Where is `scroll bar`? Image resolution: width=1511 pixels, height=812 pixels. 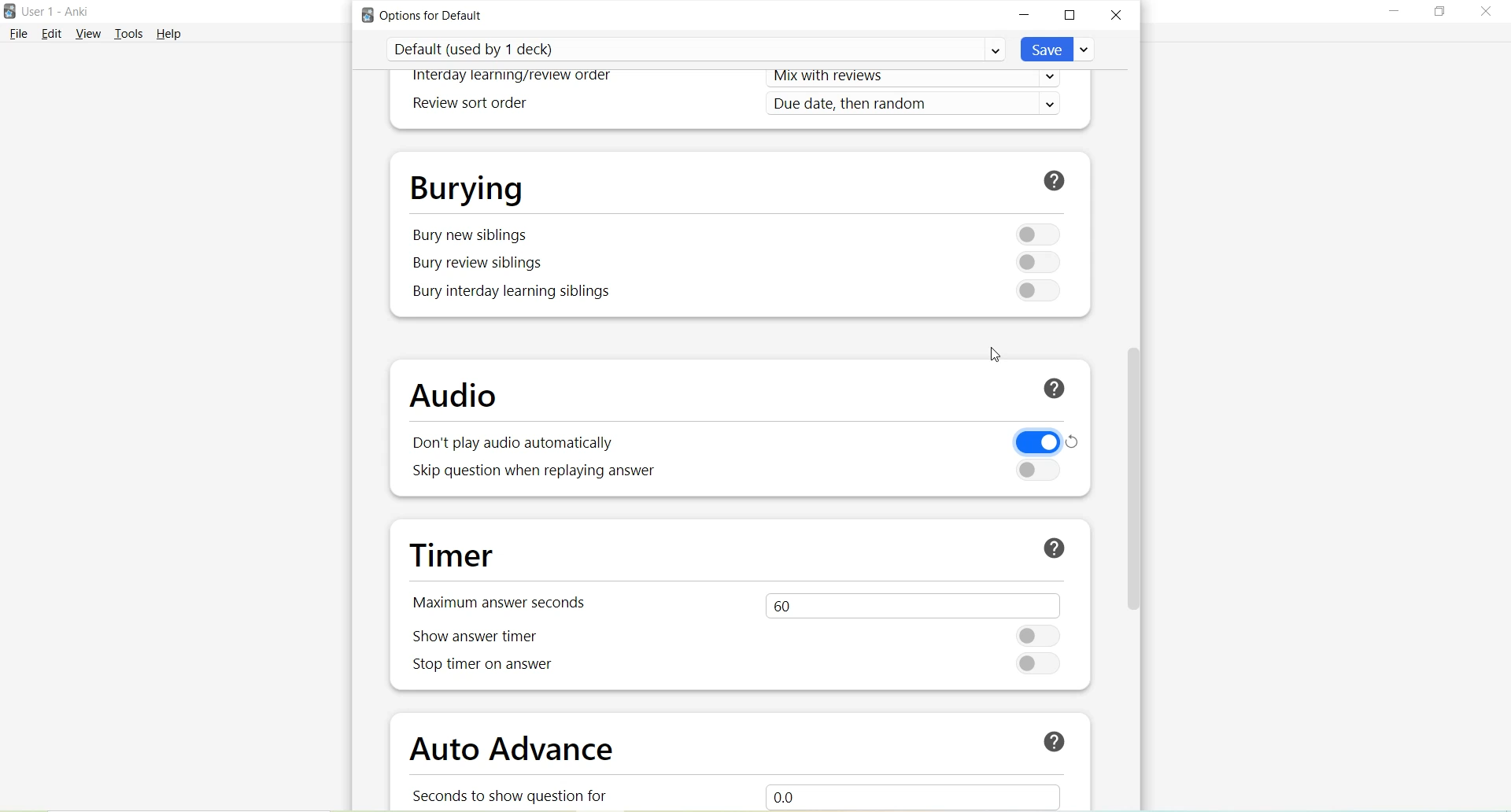 scroll bar is located at coordinates (1132, 483).